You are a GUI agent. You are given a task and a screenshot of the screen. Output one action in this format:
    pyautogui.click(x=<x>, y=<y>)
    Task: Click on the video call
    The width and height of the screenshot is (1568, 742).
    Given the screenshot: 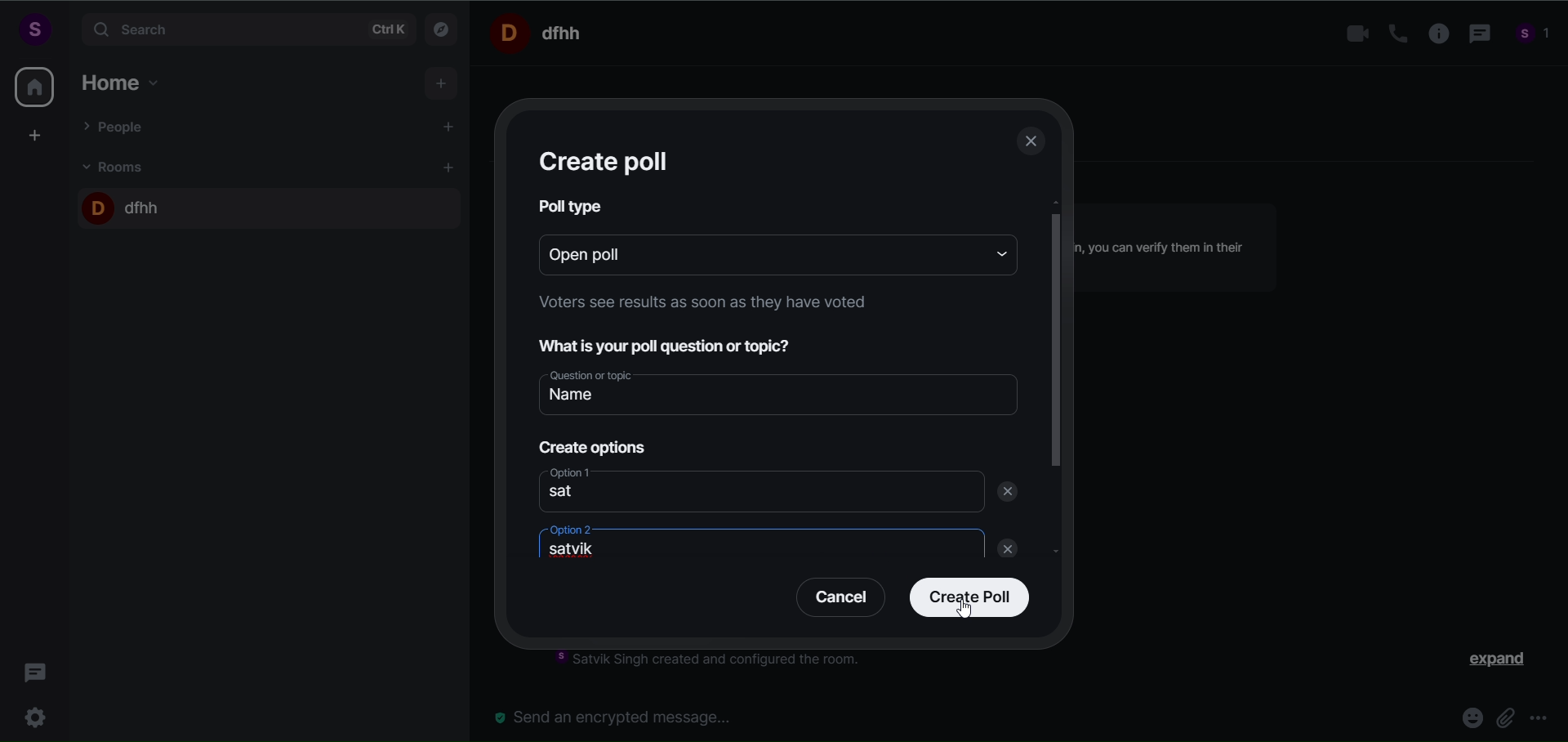 What is the action you would take?
    pyautogui.click(x=1353, y=34)
    